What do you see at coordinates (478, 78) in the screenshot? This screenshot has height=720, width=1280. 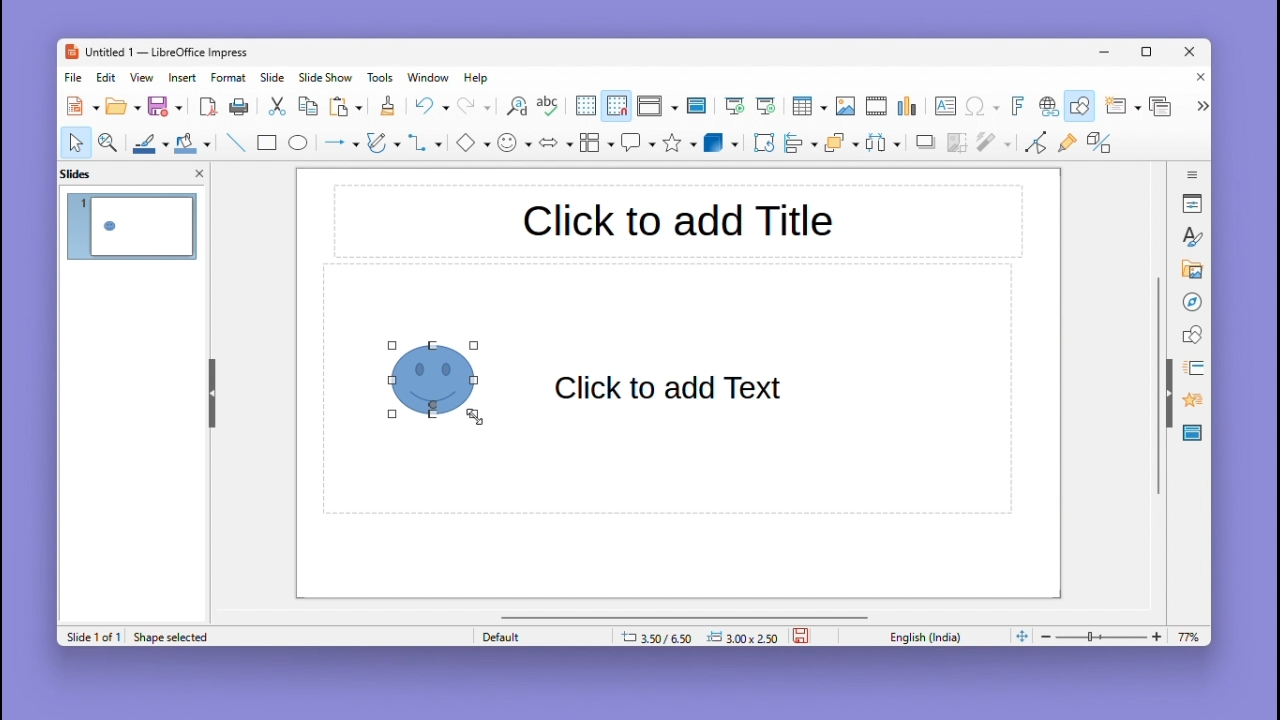 I see `Help` at bounding box center [478, 78].